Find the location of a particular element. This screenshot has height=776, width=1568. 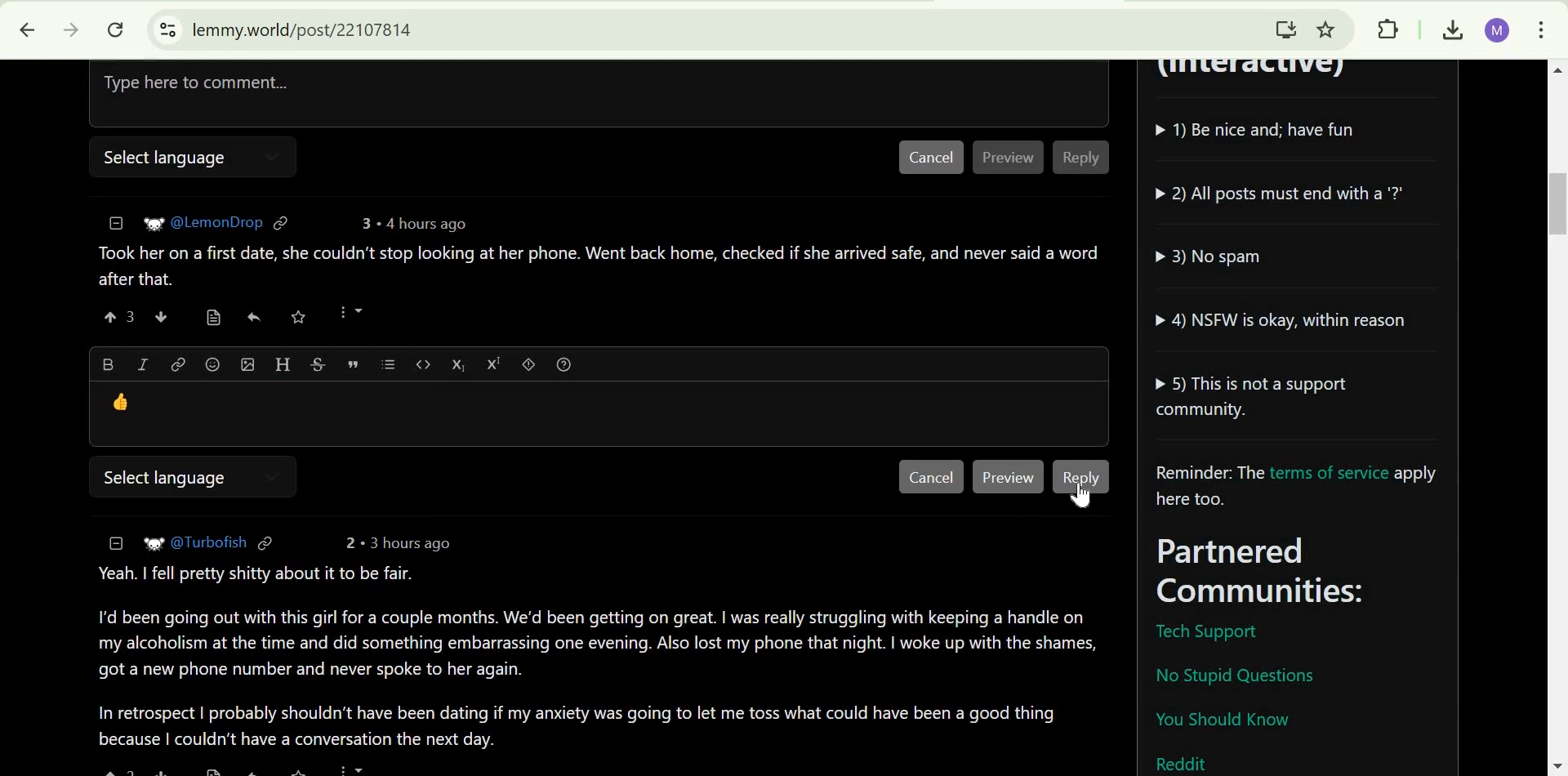

(Interactive) is located at coordinates (1258, 74).